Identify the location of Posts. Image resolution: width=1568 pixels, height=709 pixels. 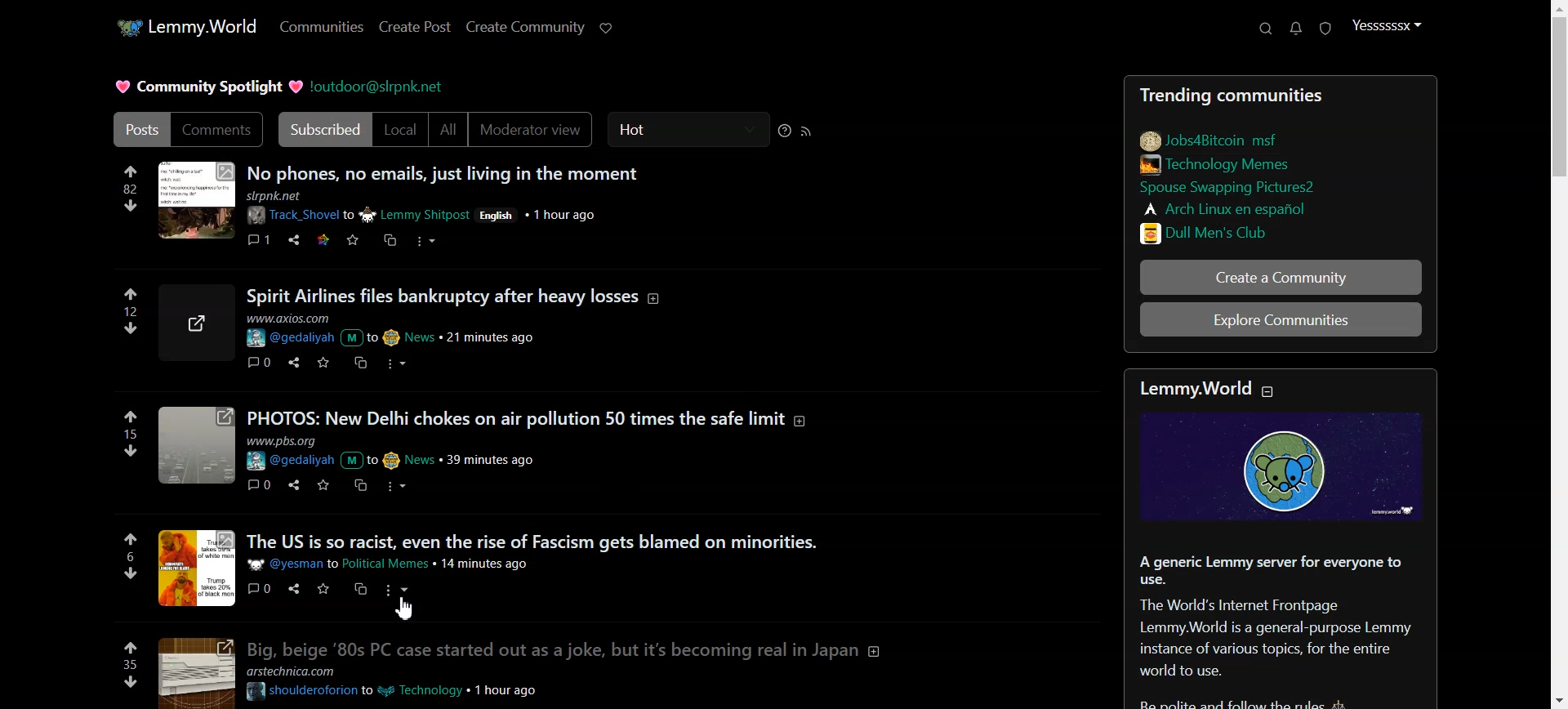
(648, 172).